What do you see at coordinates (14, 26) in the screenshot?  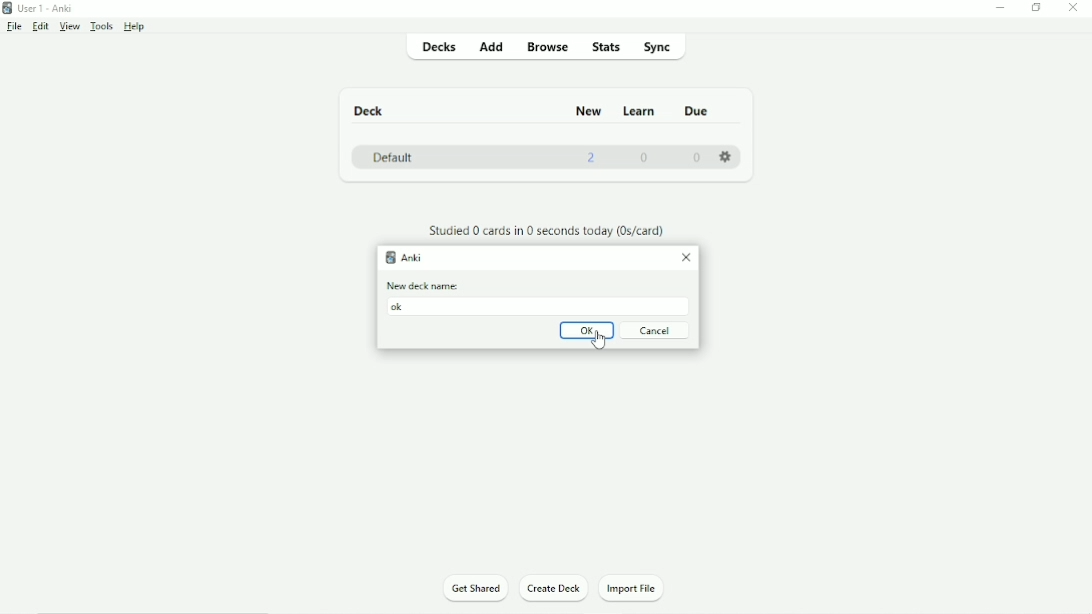 I see `File` at bounding box center [14, 26].